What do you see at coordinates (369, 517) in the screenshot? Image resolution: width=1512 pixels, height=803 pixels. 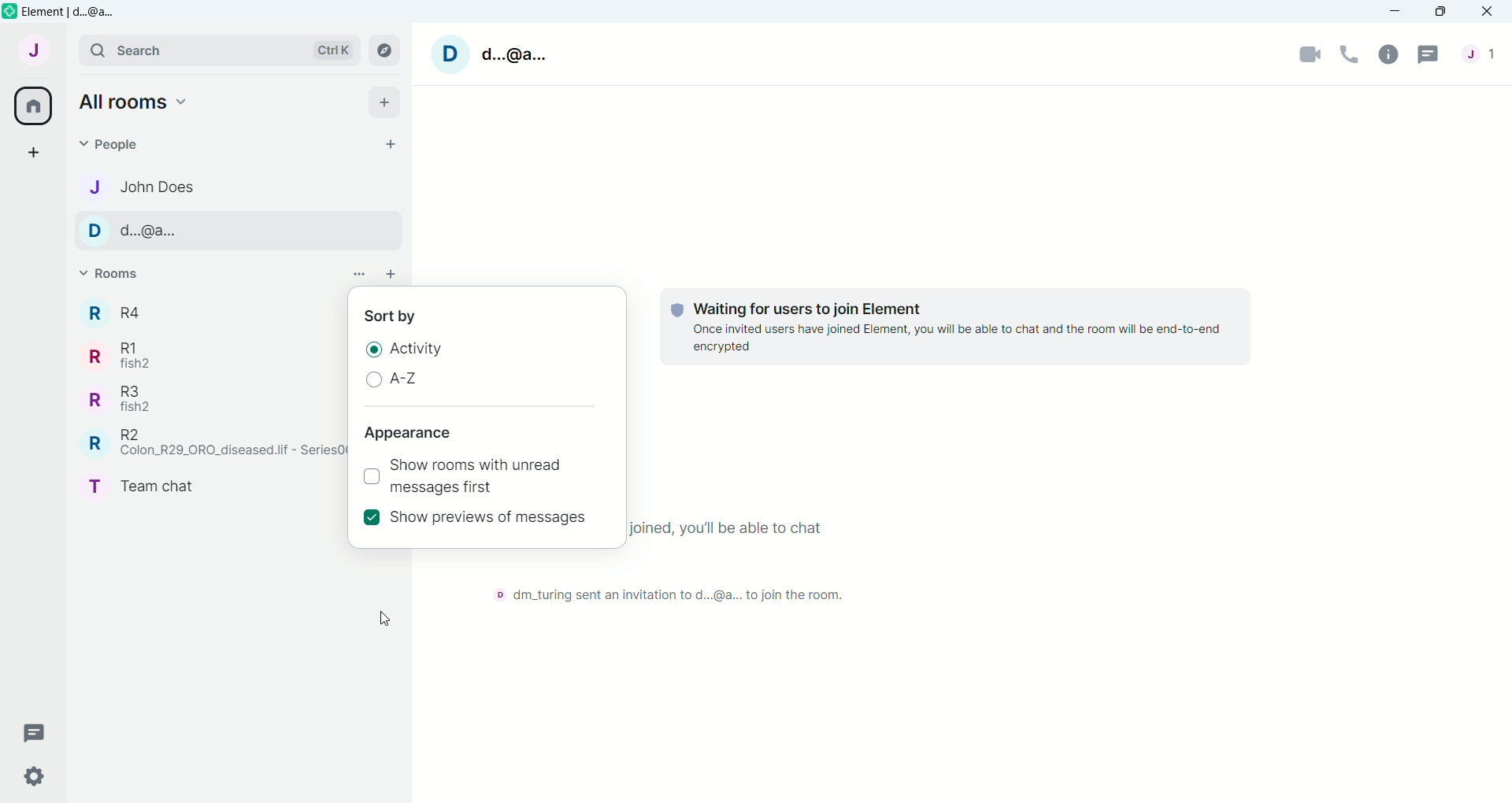 I see `selected checkbox` at bounding box center [369, 517].